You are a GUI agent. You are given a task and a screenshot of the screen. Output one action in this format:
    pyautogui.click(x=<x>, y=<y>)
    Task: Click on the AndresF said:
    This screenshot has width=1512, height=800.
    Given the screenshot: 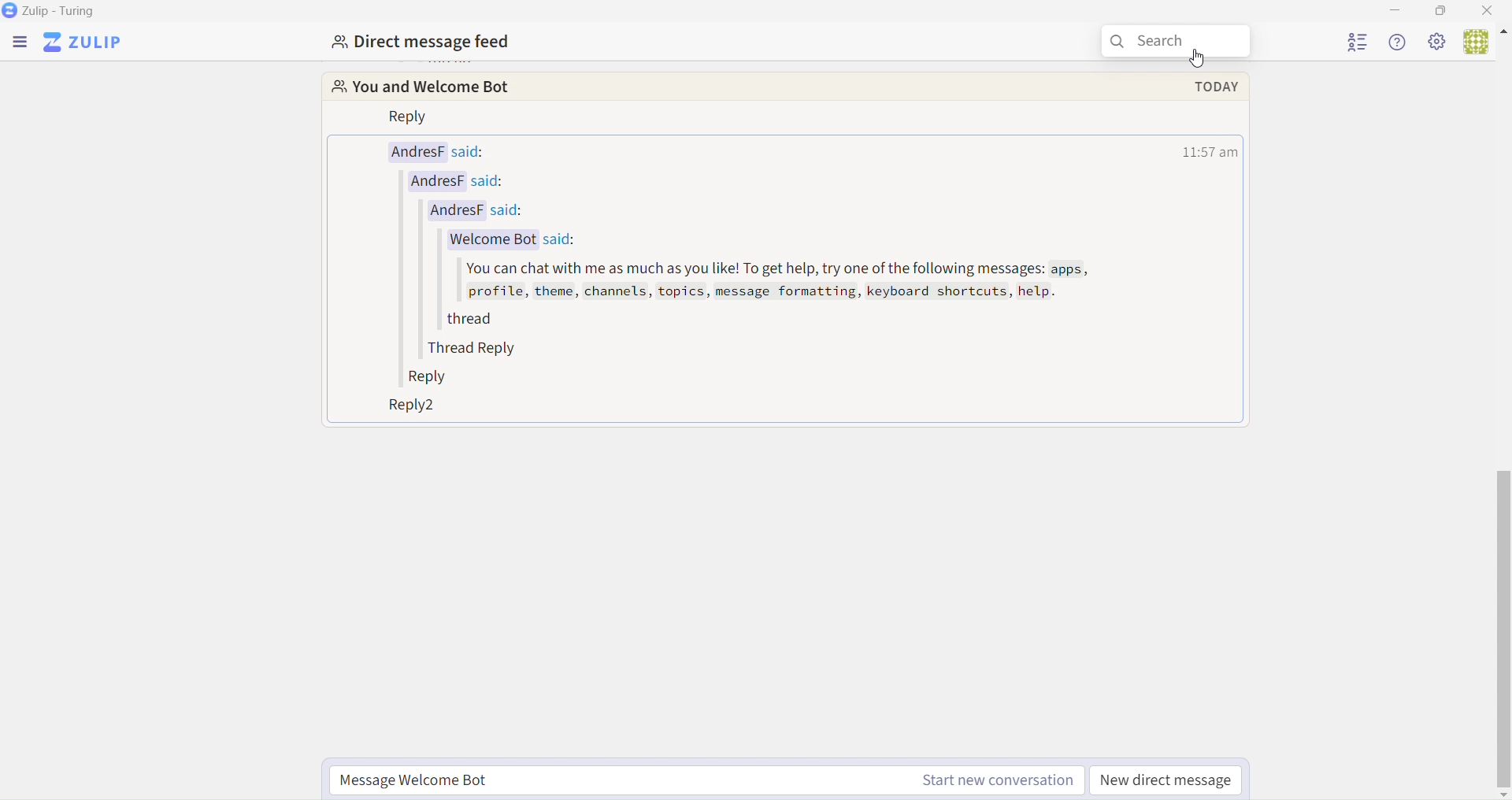 What is the action you would take?
    pyautogui.click(x=482, y=208)
    